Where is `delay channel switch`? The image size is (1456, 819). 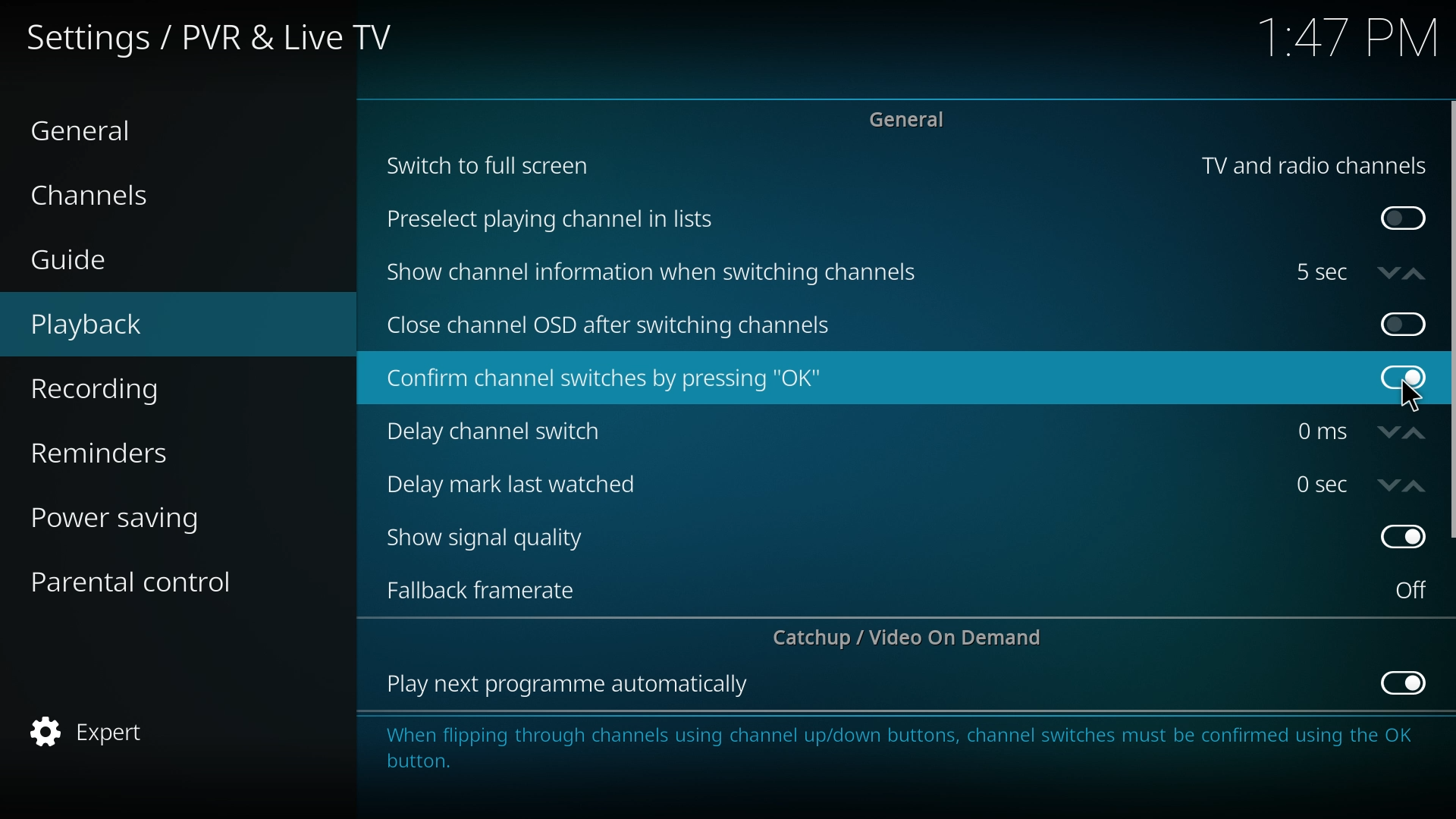 delay channel switch is located at coordinates (507, 431).